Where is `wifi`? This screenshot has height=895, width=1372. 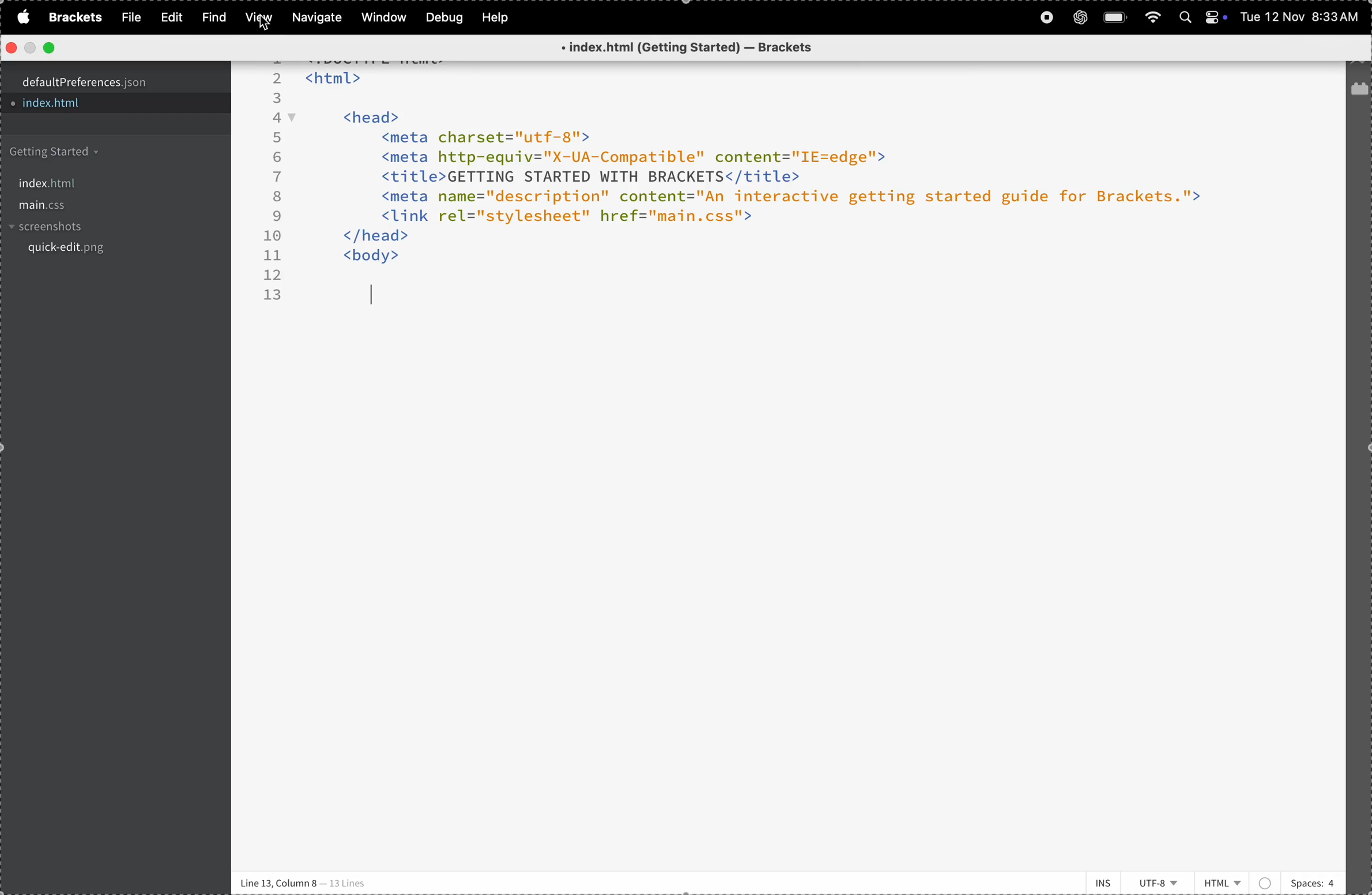
wifi is located at coordinates (1152, 17).